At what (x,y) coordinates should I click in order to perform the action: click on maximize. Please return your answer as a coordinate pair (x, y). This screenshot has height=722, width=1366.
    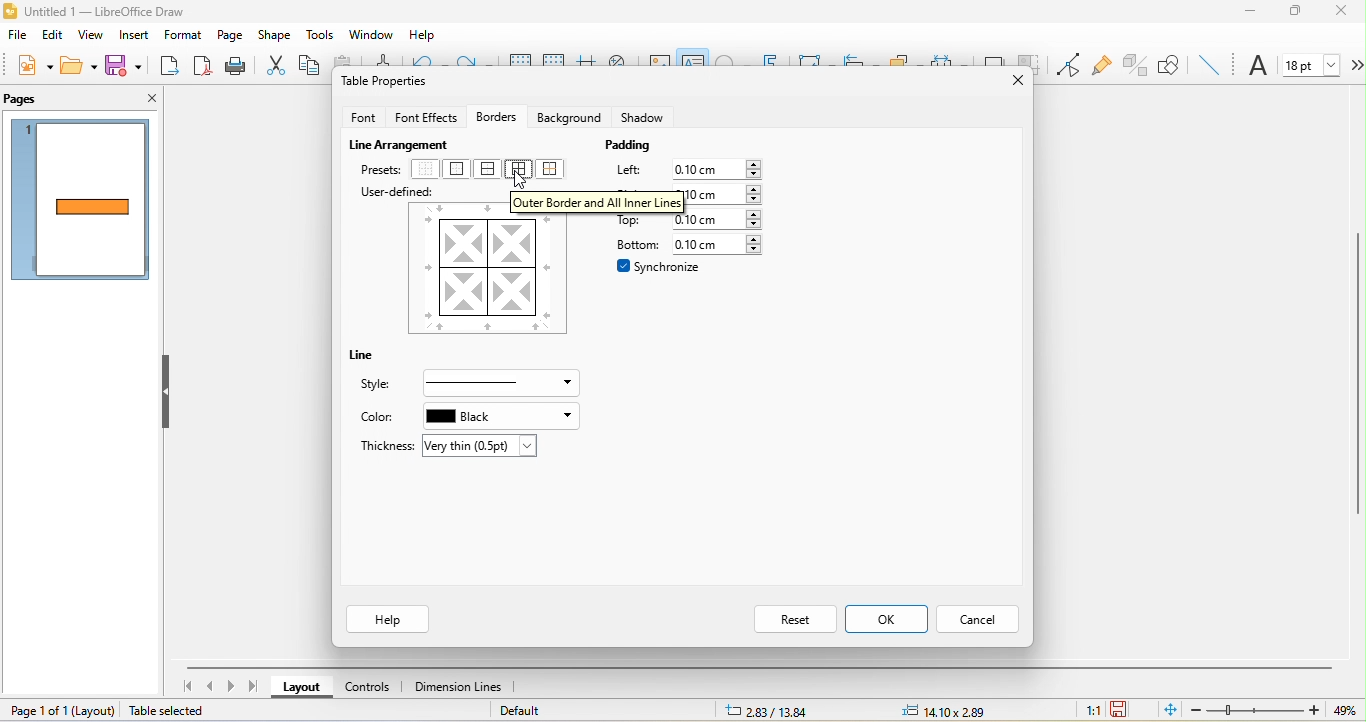
    Looking at the image, I should click on (1301, 15).